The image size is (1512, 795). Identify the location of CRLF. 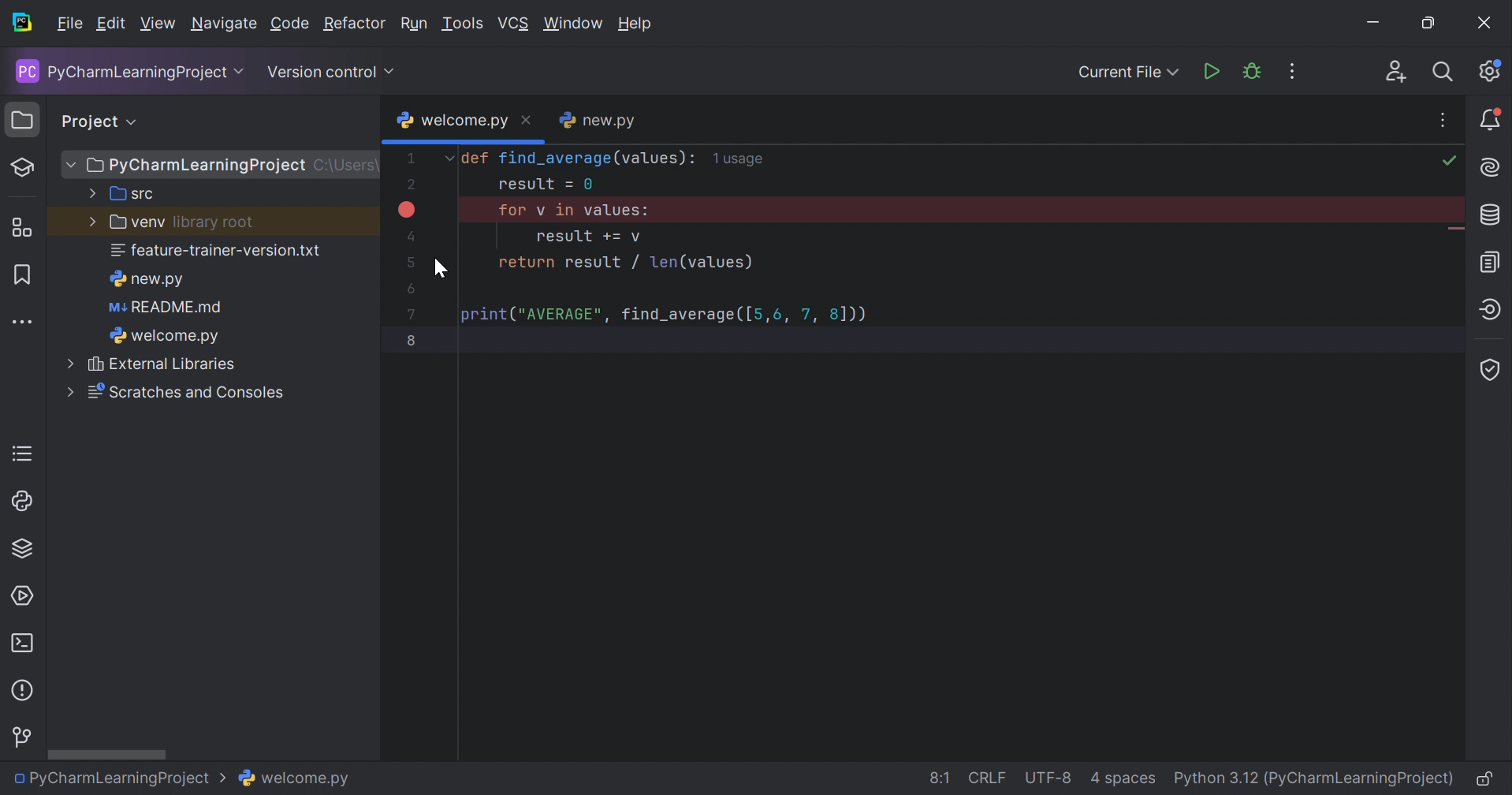
(988, 775).